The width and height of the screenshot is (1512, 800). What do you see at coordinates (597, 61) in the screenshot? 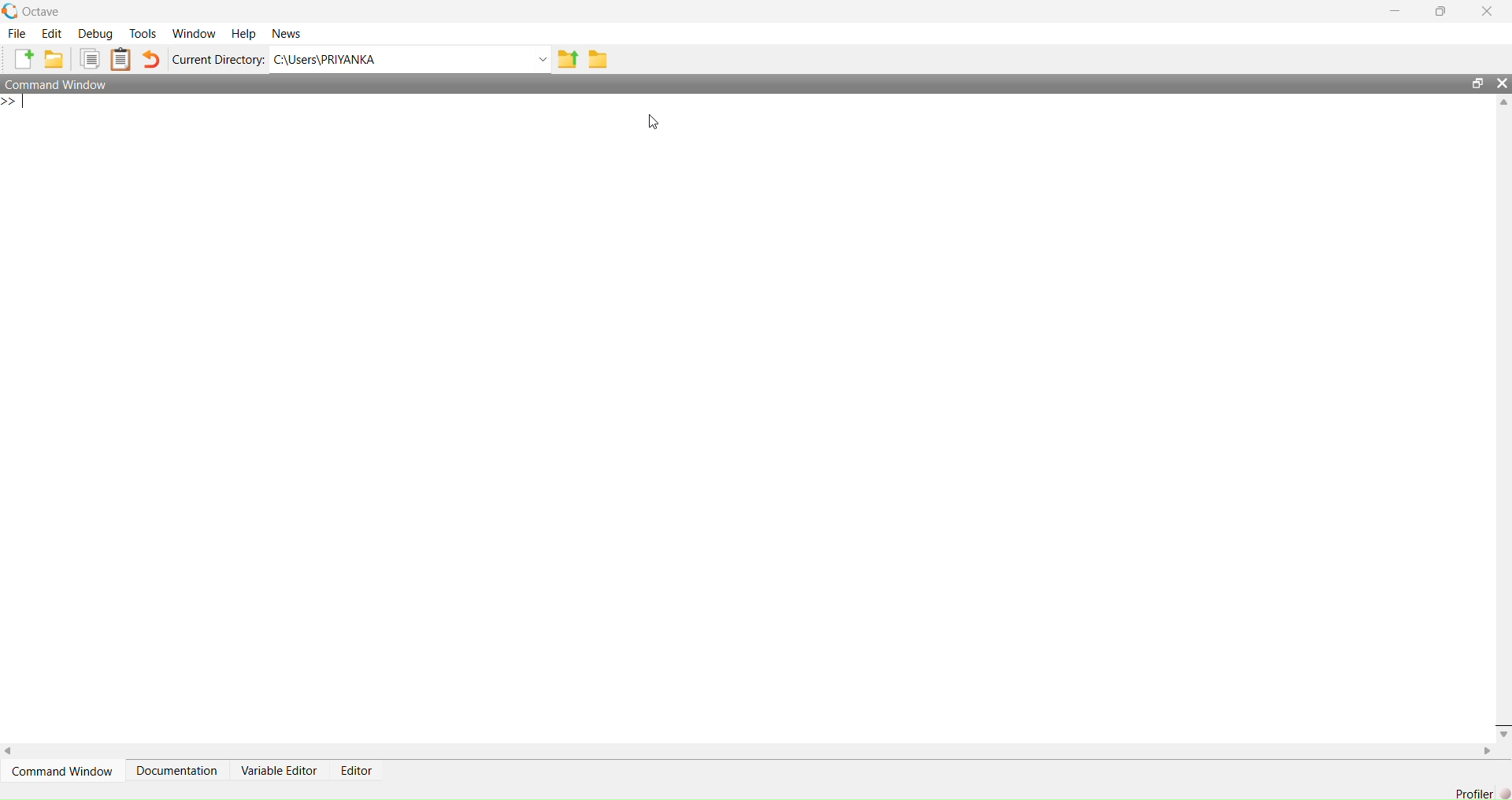
I see `Folder` at bounding box center [597, 61].